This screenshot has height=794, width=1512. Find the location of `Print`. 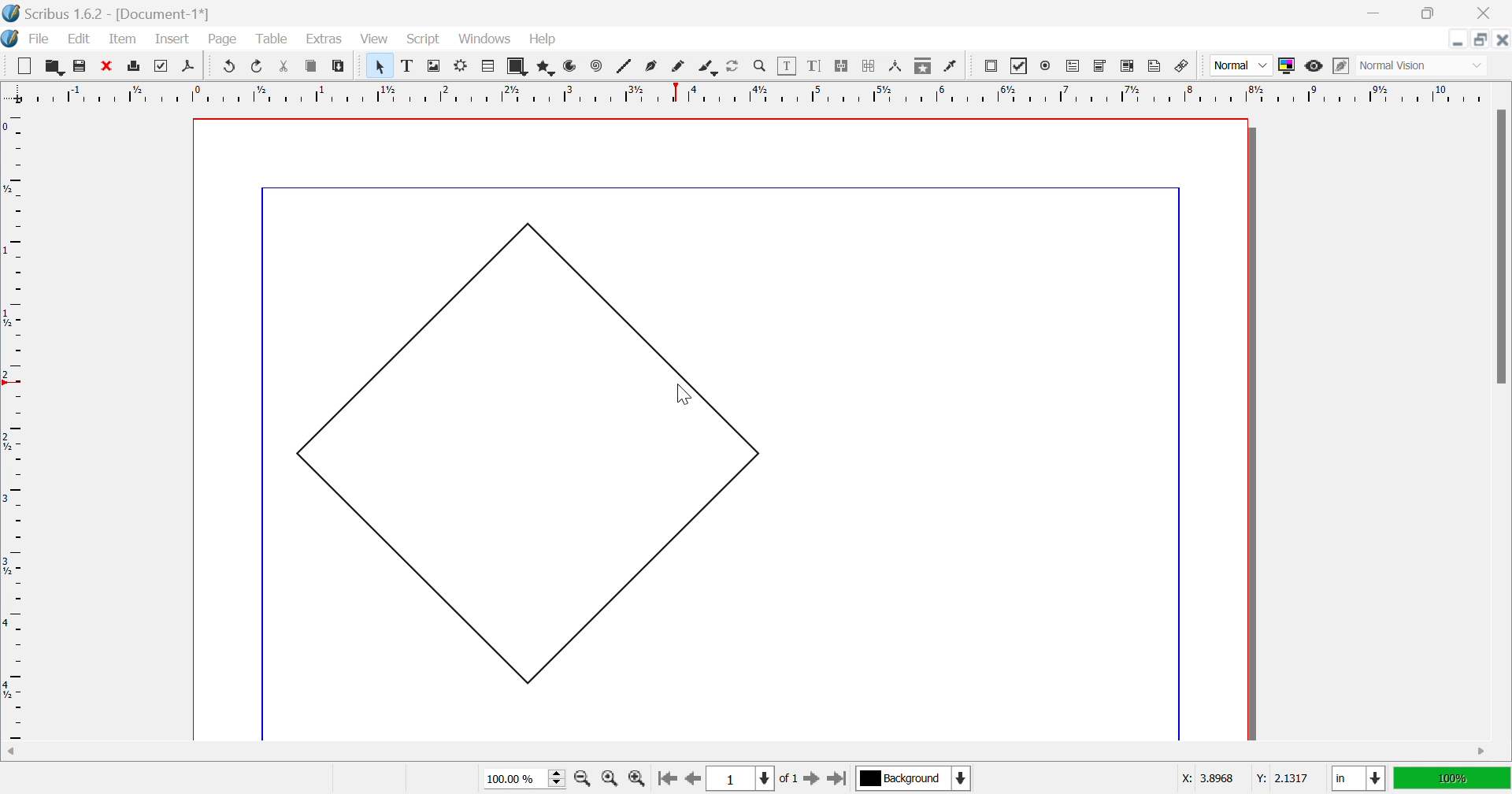

Print is located at coordinates (135, 66).